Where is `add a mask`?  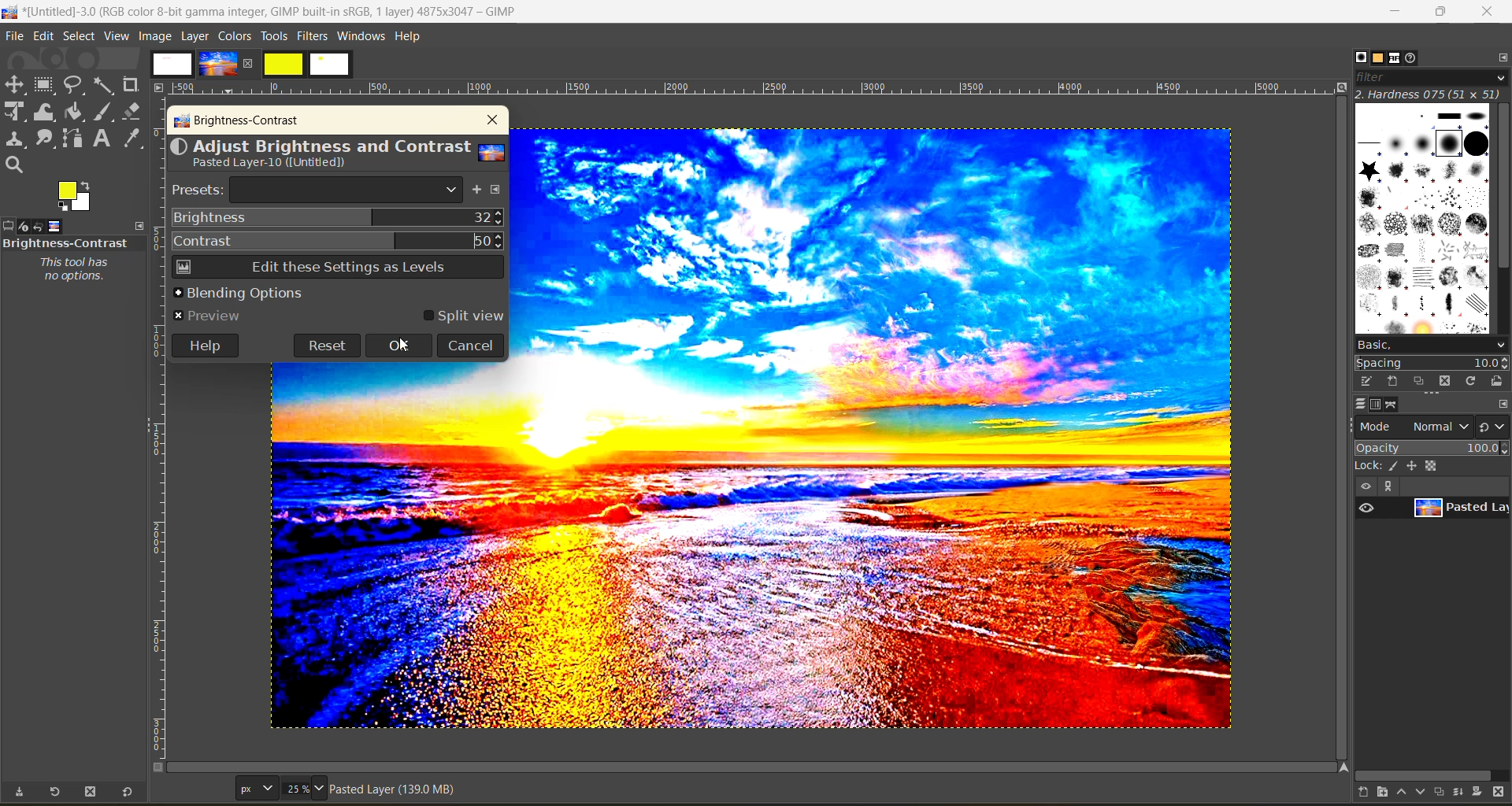 add a mask is located at coordinates (1482, 794).